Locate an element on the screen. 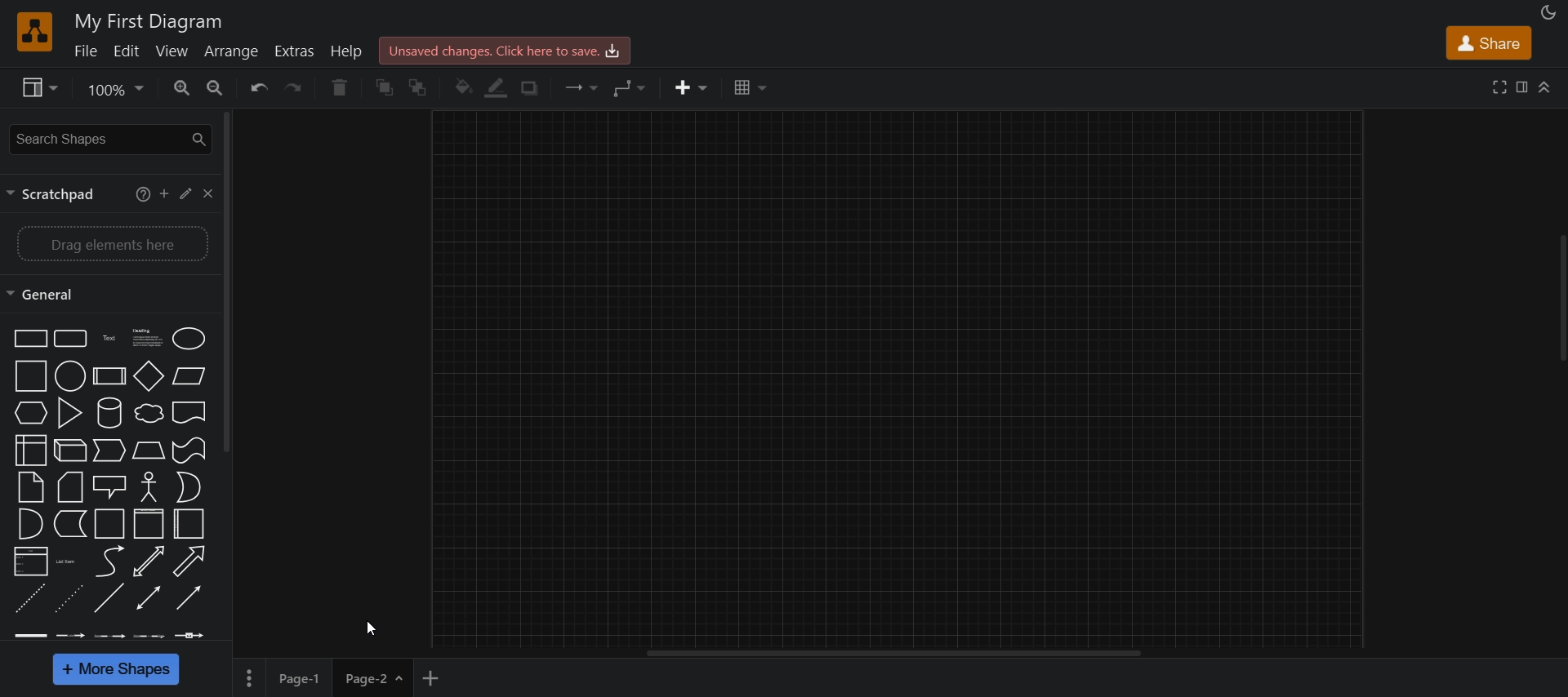  shapes is located at coordinates (109, 482).